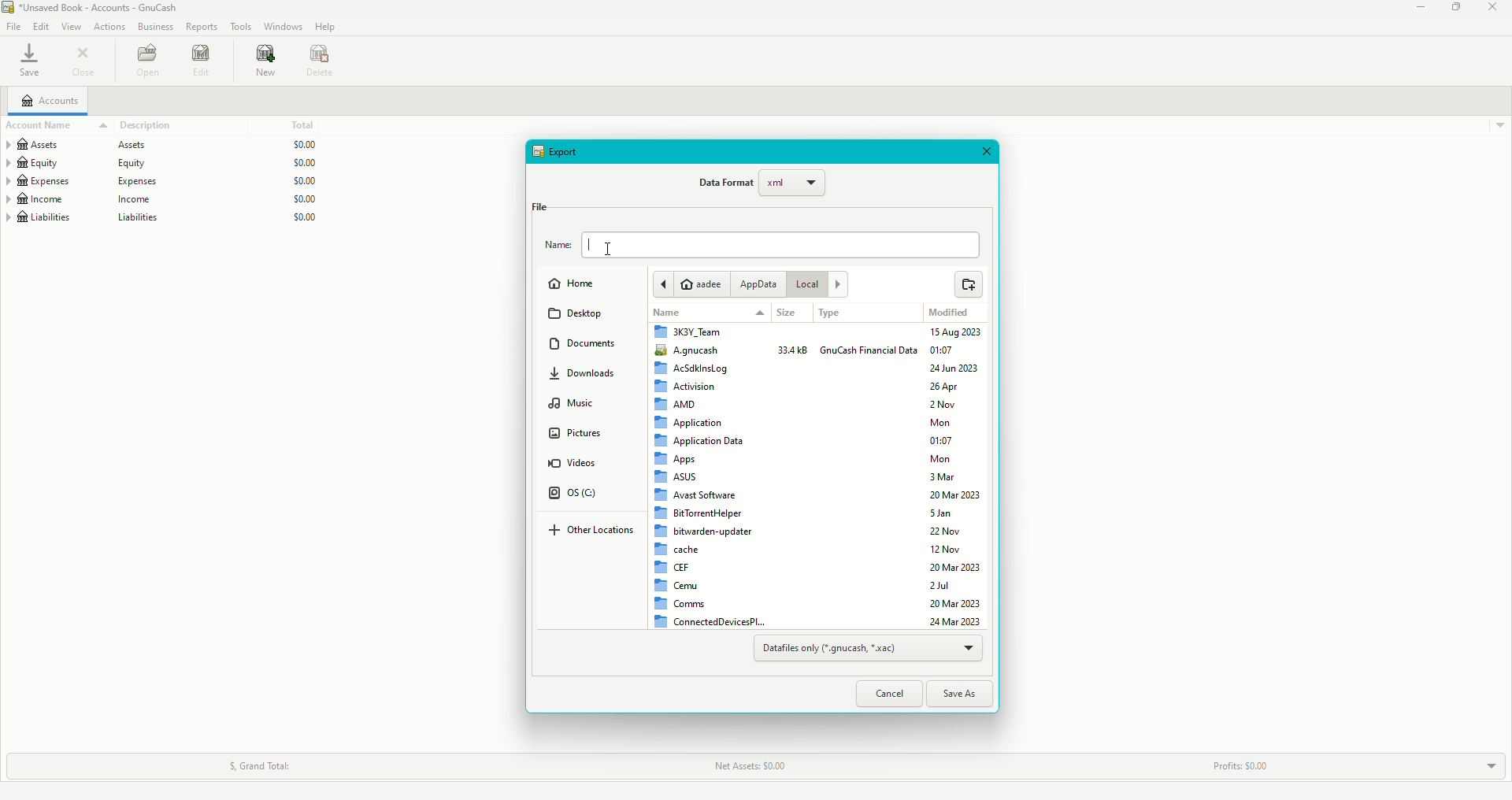 Image resolution: width=1512 pixels, height=800 pixels. What do you see at coordinates (39, 126) in the screenshot?
I see `Account Name` at bounding box center [39, 126].